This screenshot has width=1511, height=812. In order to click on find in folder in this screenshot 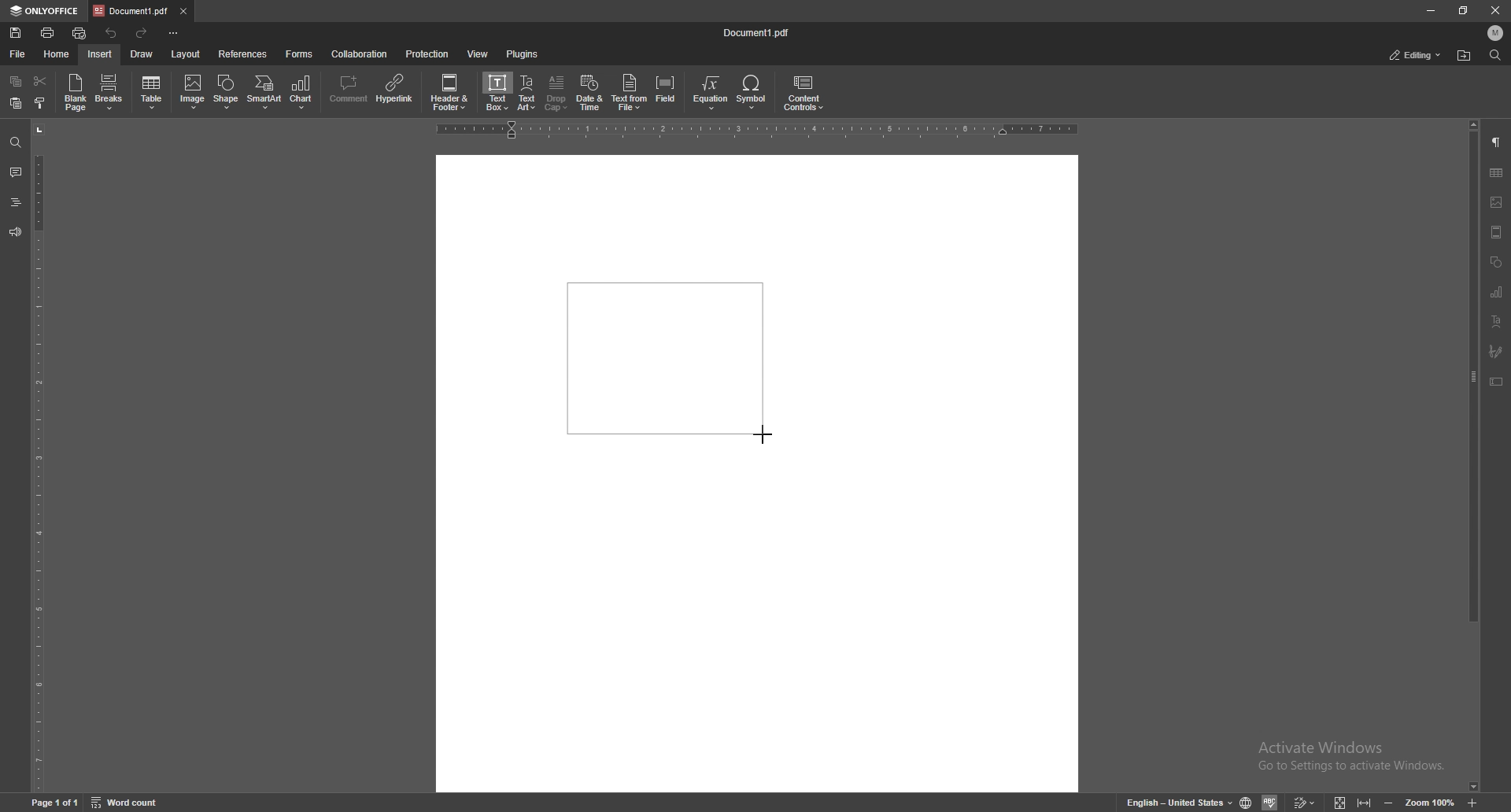, I will do `click(1464, 56)`.